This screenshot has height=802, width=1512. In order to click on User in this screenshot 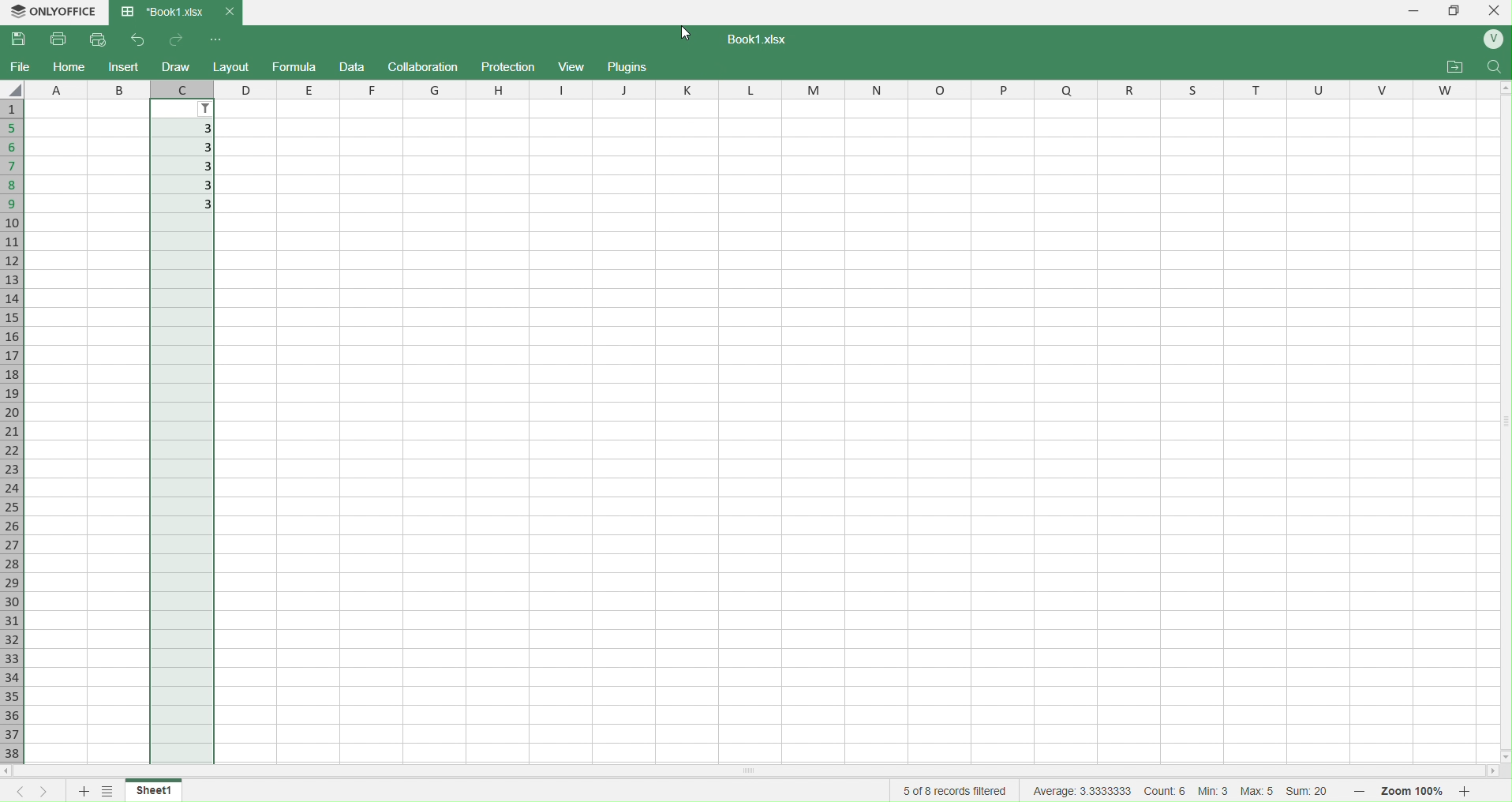, I will do `click(1491, 40)`.